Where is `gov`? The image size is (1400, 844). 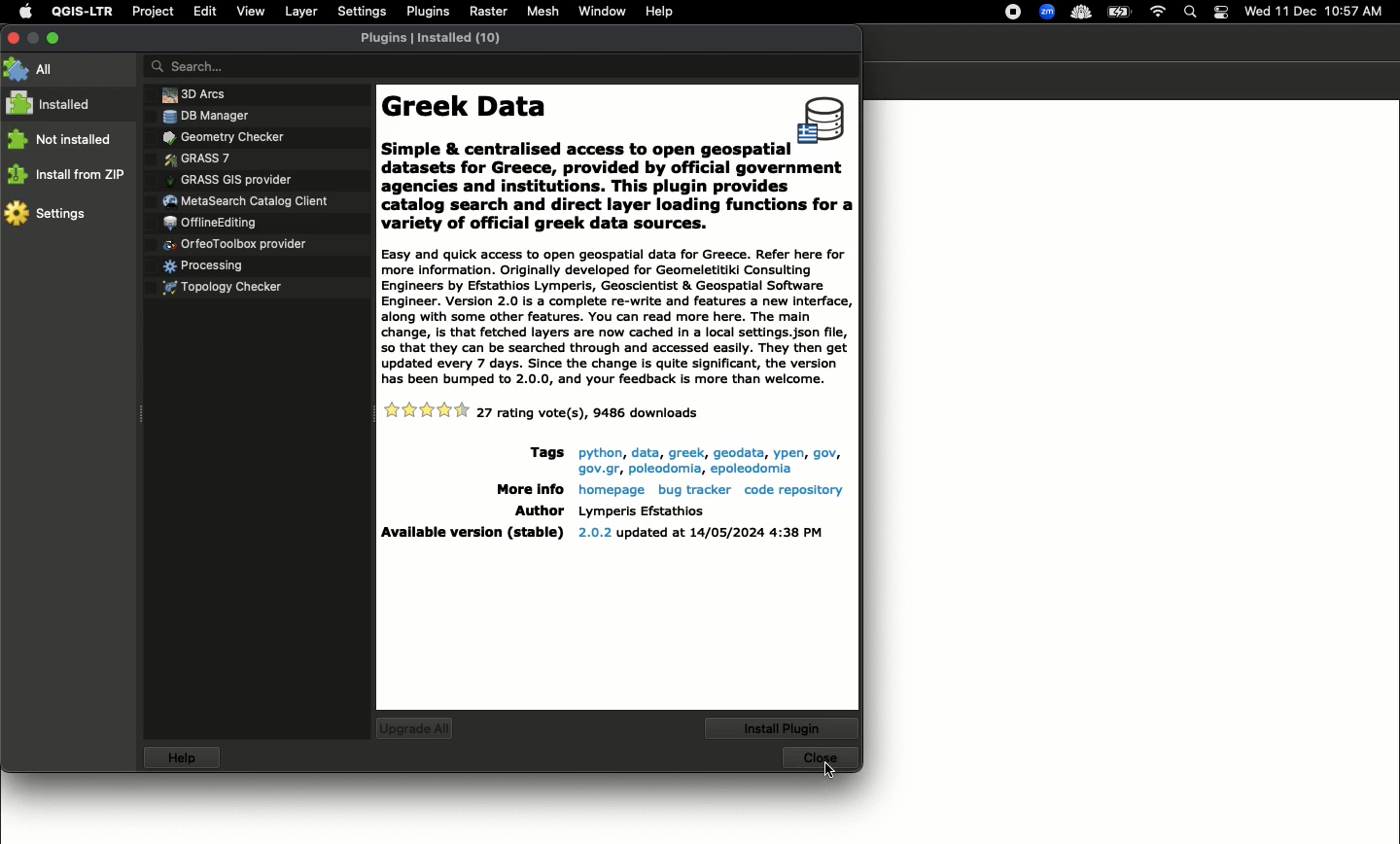
gov is located at coordinates (824, 453).